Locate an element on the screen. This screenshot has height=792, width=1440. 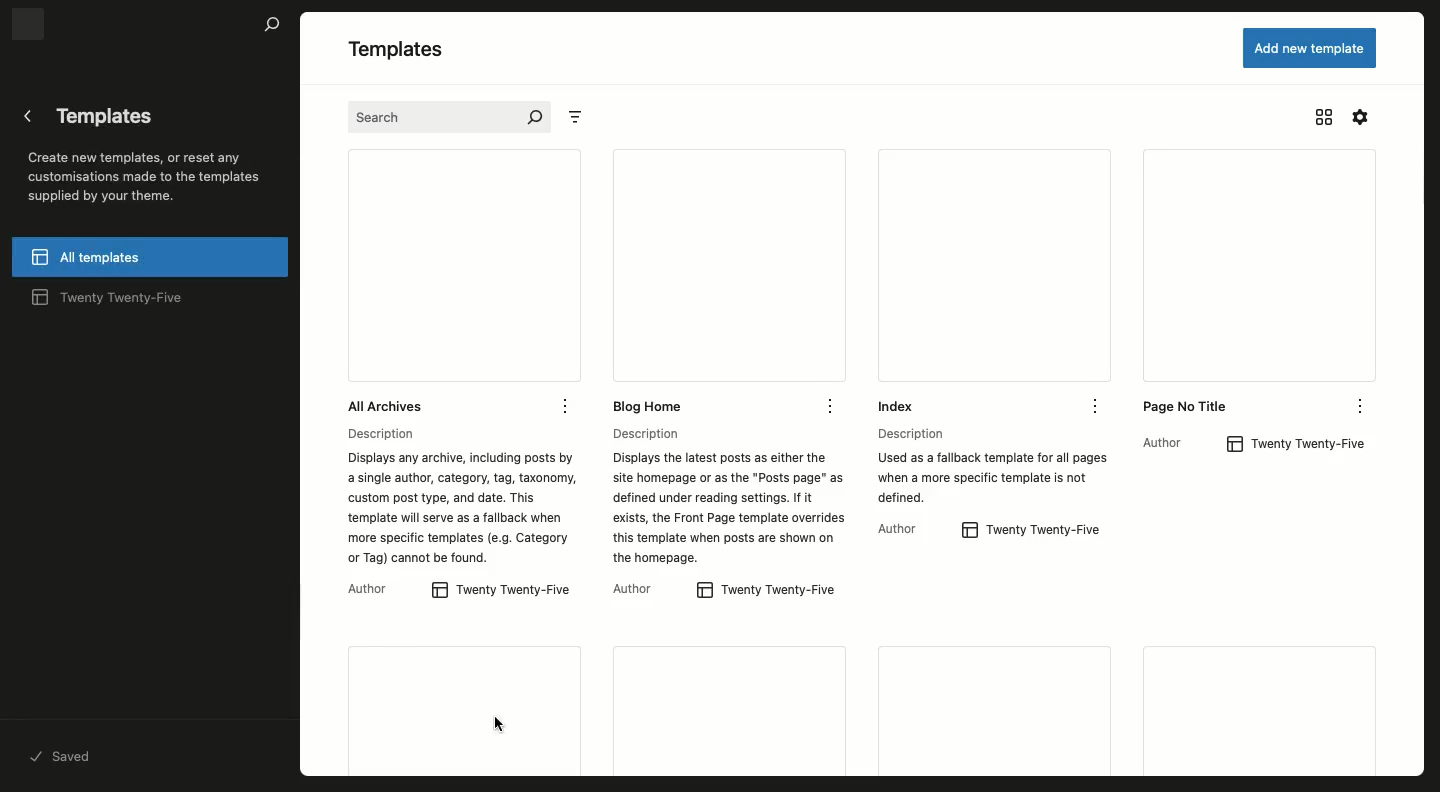
Search is located at coordinates (444, 118).